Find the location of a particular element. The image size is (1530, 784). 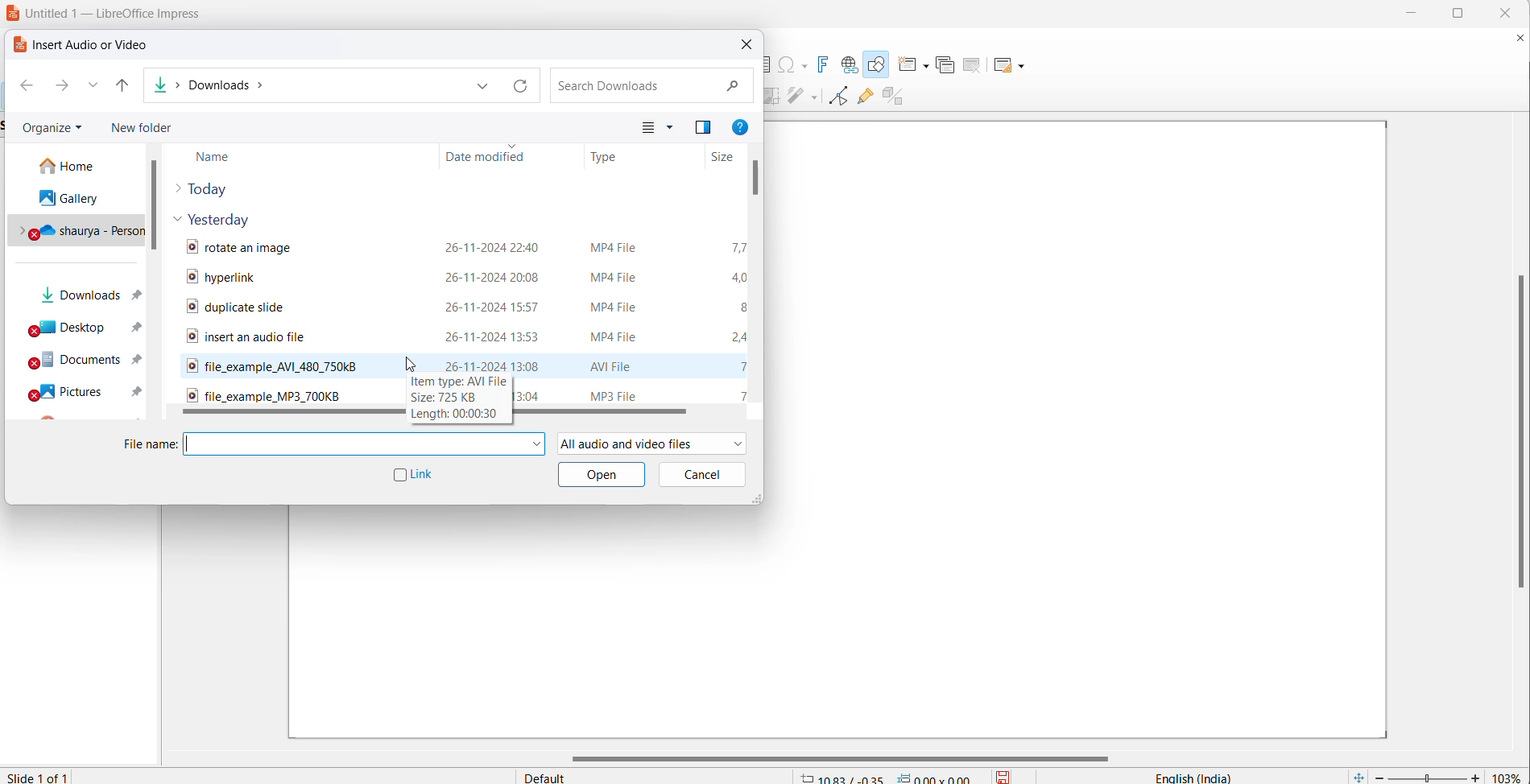

zoom percentage is located at coordinates (1508, 774).